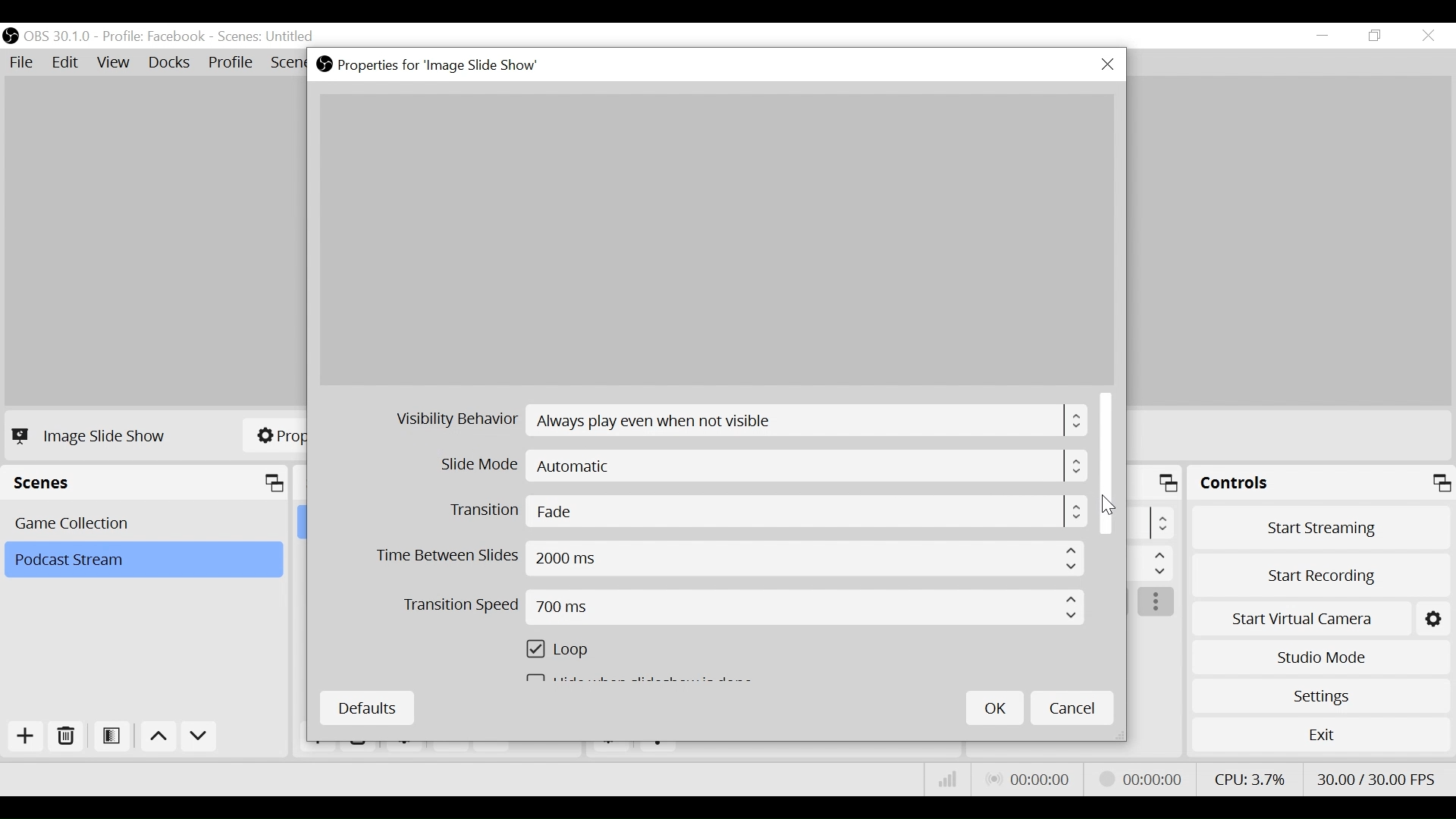 The height and width of the screenshot is (819, 1456). What do you see at coordinates (765, 466) in the screenshot?
I see `Slide Mode` at bounding box center [765, 466].